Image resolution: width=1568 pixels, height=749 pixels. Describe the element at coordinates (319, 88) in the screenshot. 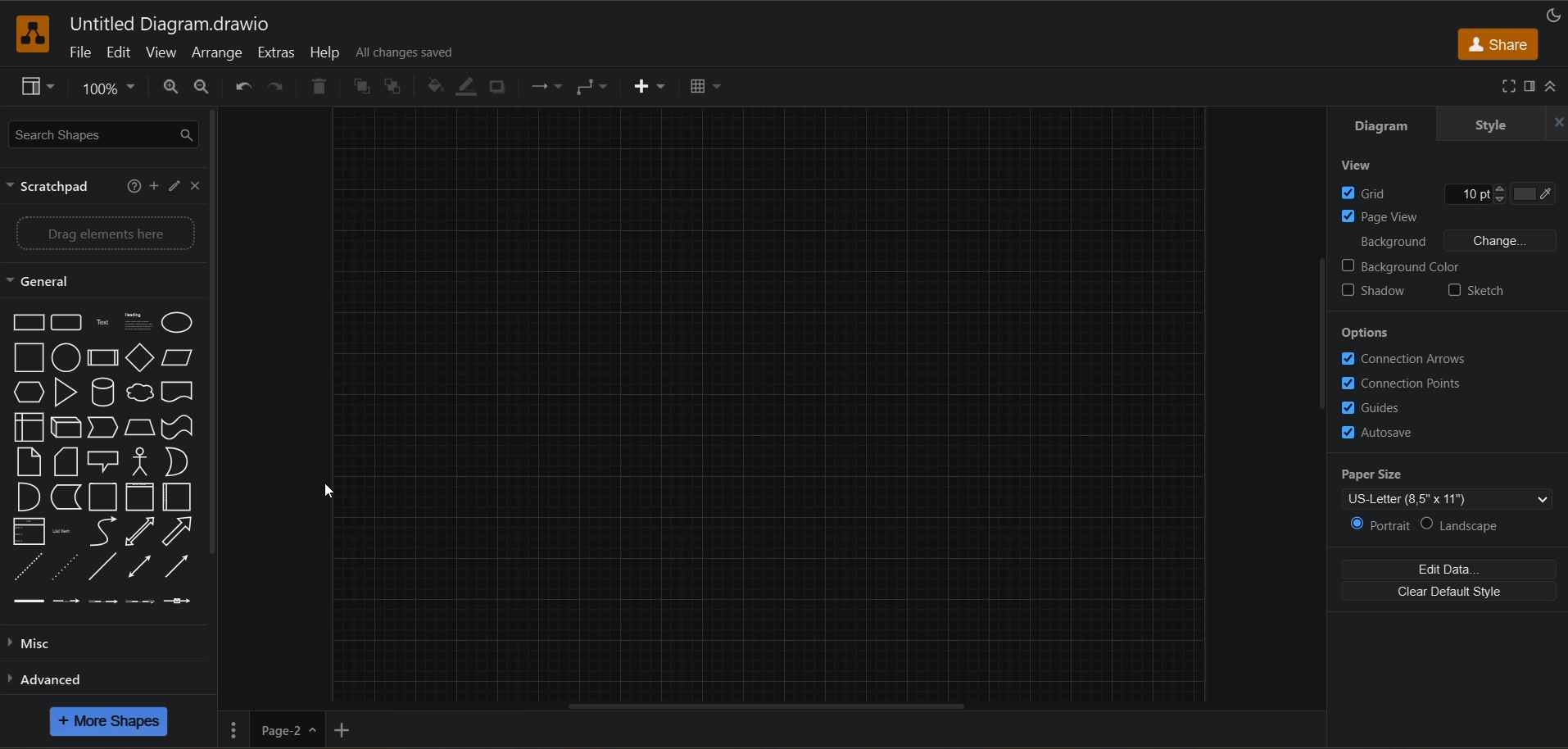

I see `delete` at that location.